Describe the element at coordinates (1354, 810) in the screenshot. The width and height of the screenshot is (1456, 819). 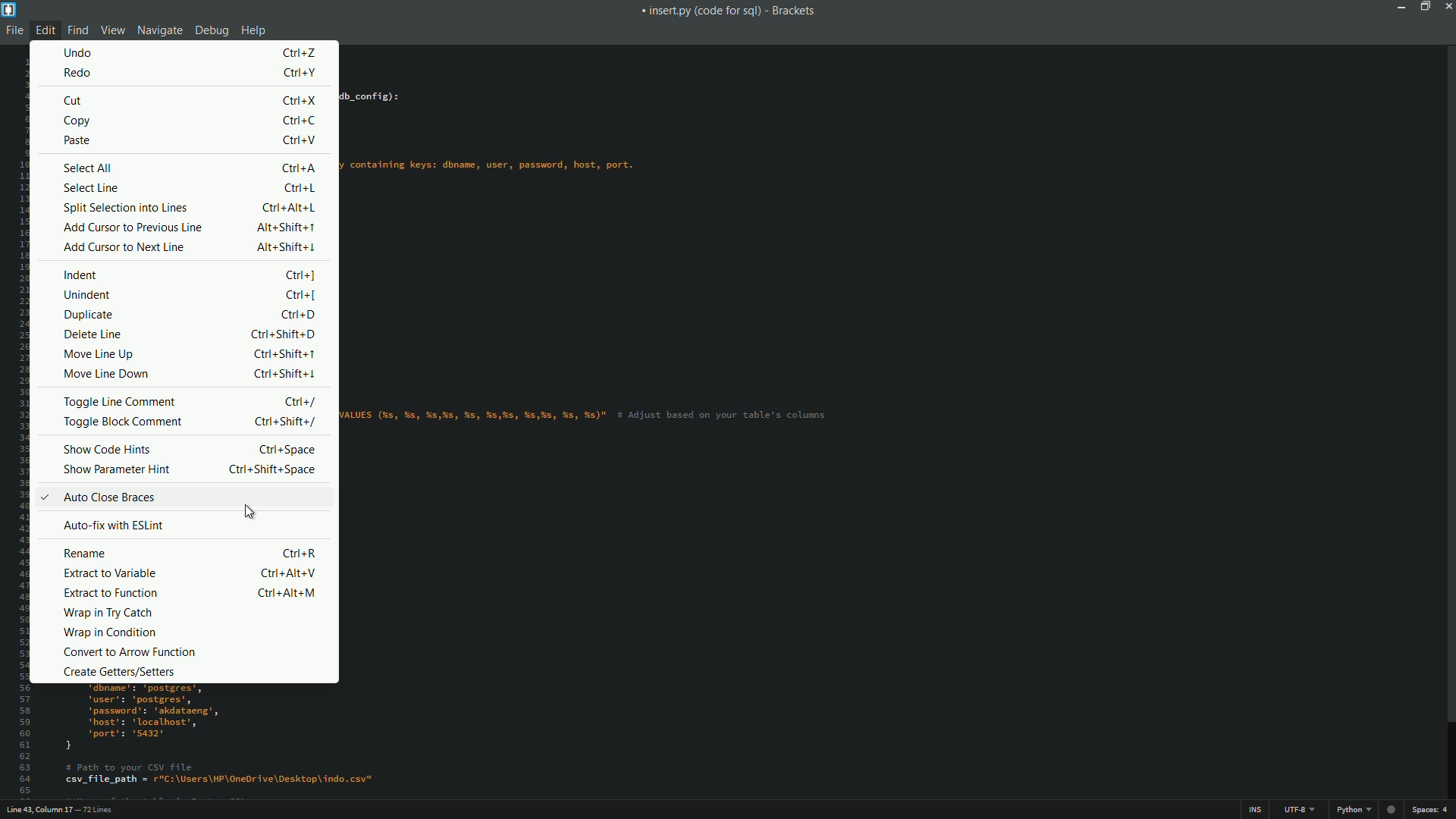
I see `file format` at that location.